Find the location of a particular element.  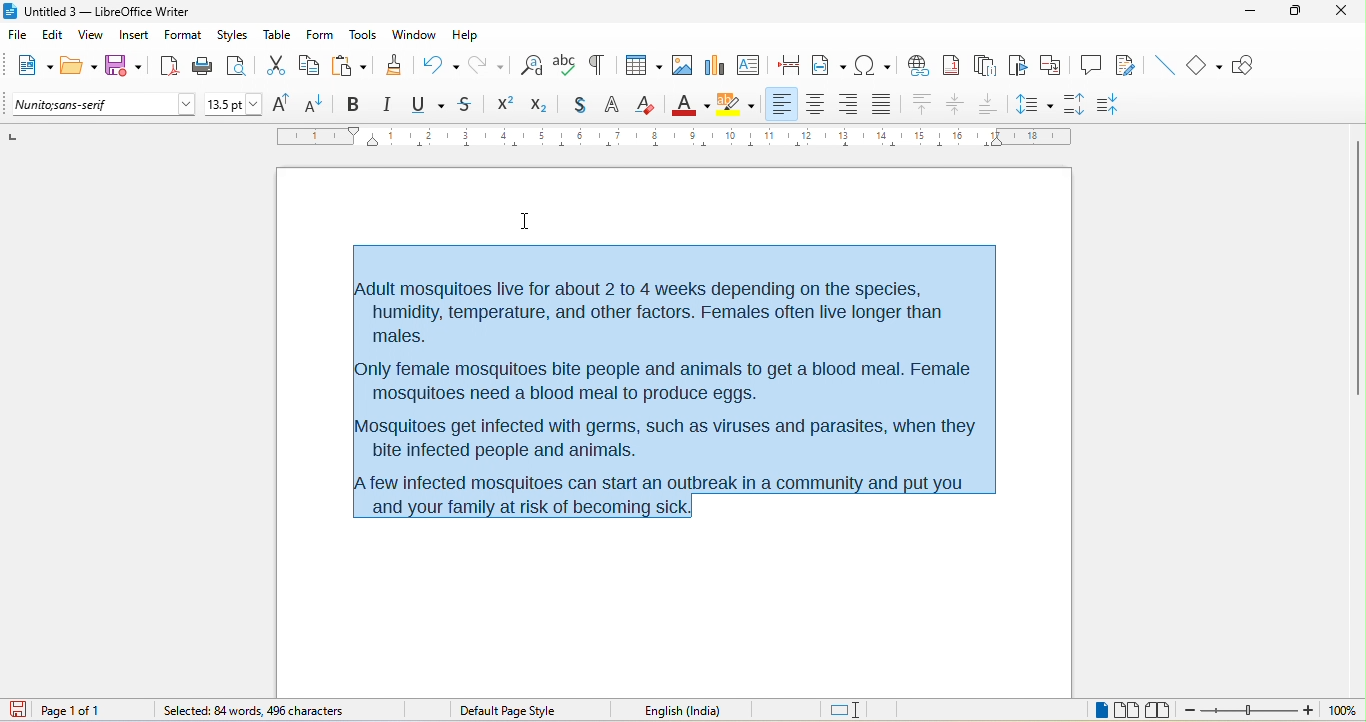

toggle formatting marks is located at coordinates (596, 65).